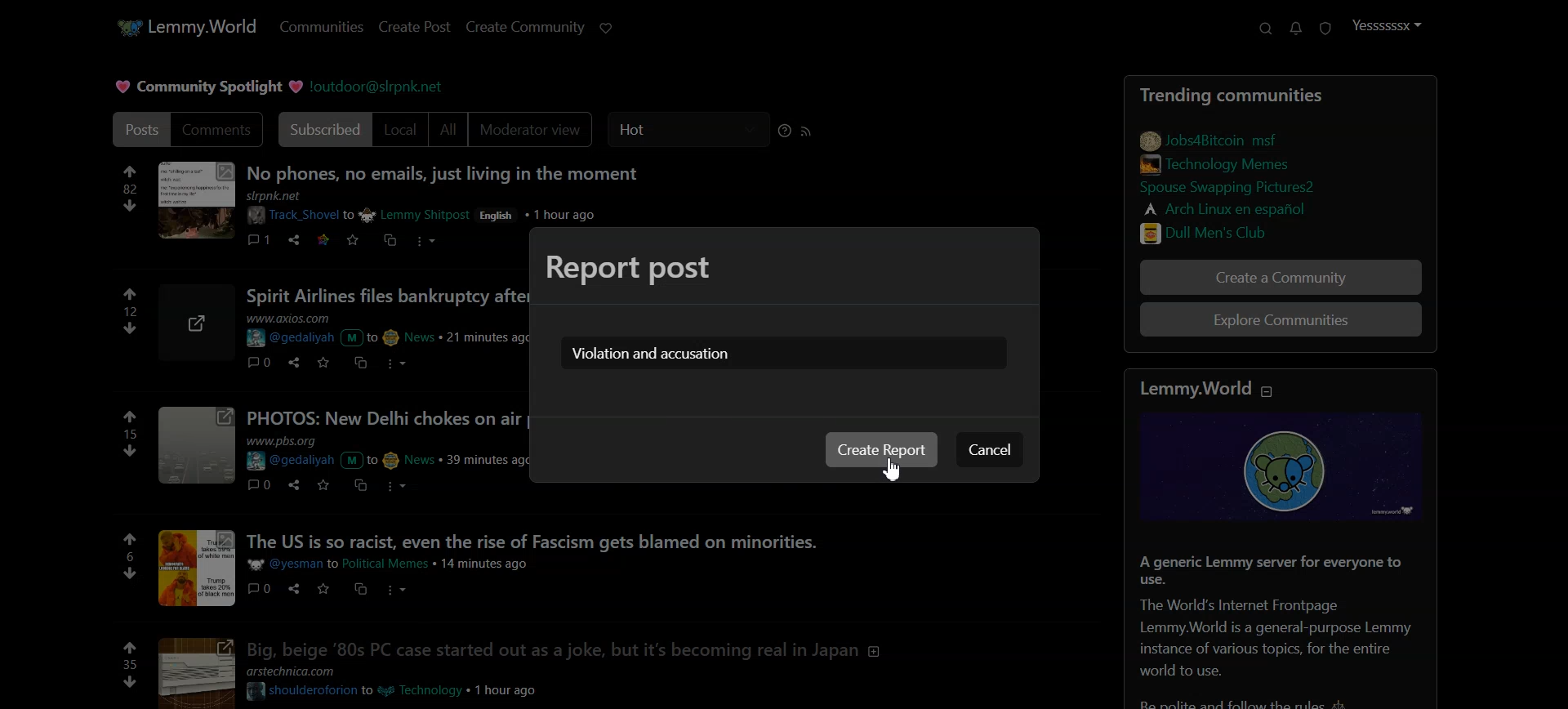 The height and width of the screenshot is (709, 1568). What do you see at coordinates (1285, 622) in the screenshot?
I see `Text` at bounding box center [1285, 622].